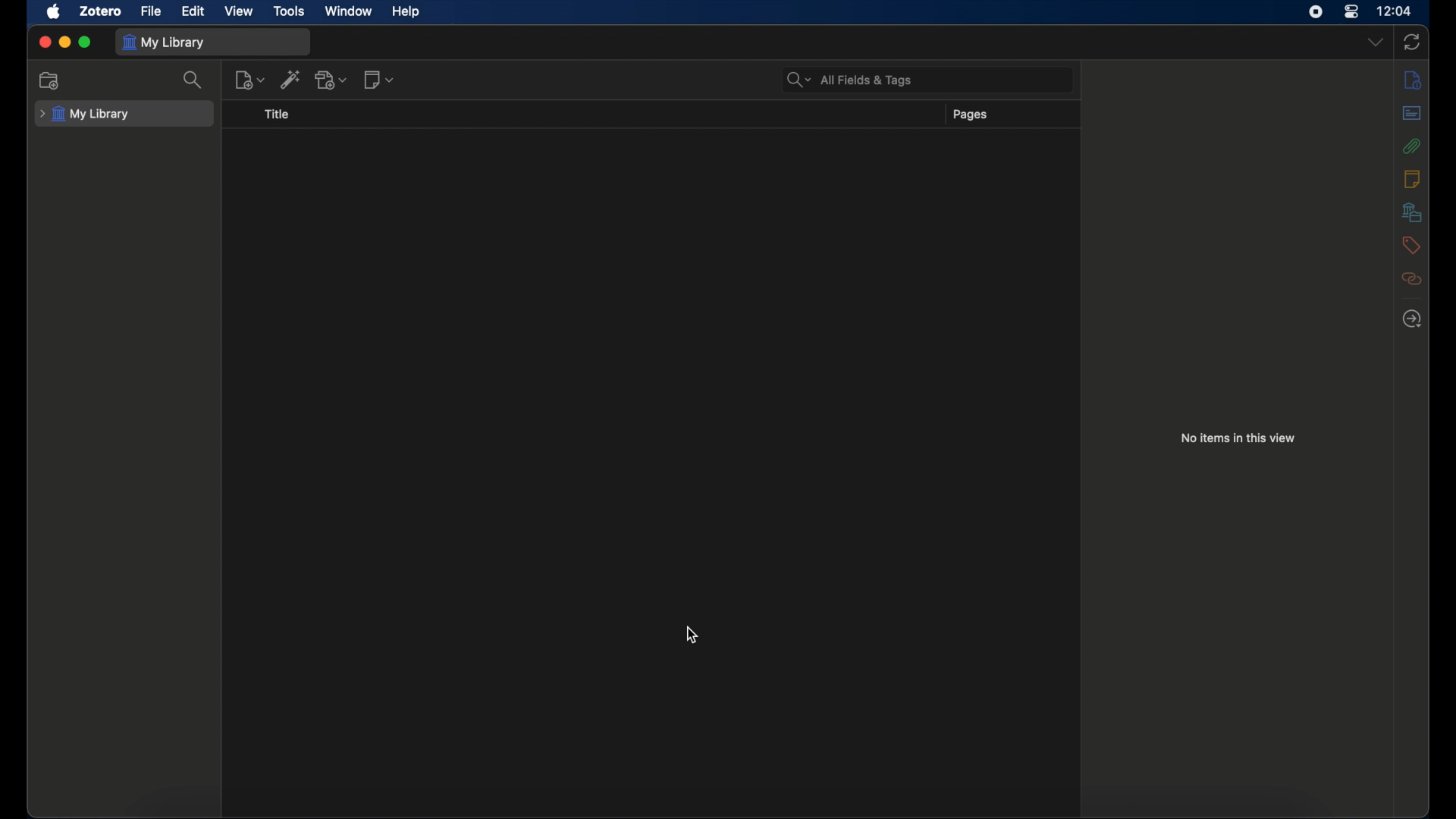 The width and height of the screenshot is (1456, 819). Describe the element at coordinates (290, 79) in the screenshot. I see `add item by identifier` at that location.